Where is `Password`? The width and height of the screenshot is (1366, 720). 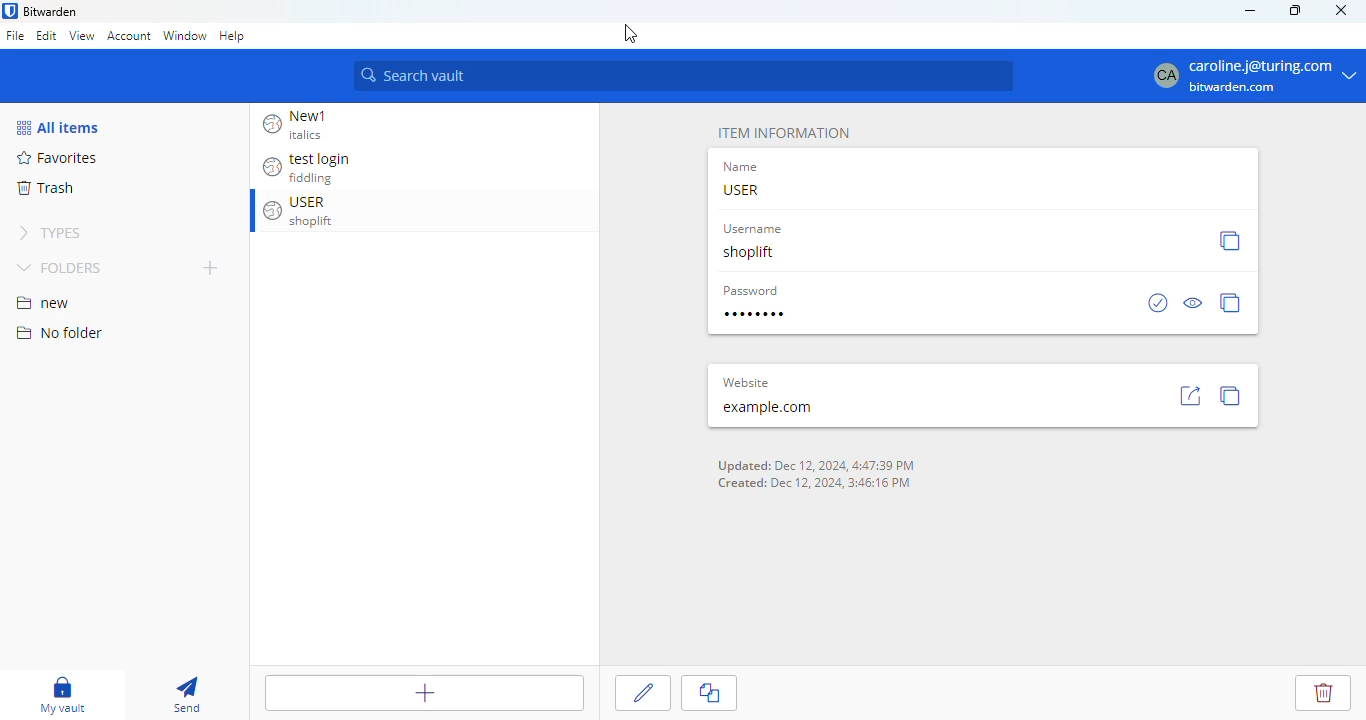 Password is located at coordinates (751, 290).